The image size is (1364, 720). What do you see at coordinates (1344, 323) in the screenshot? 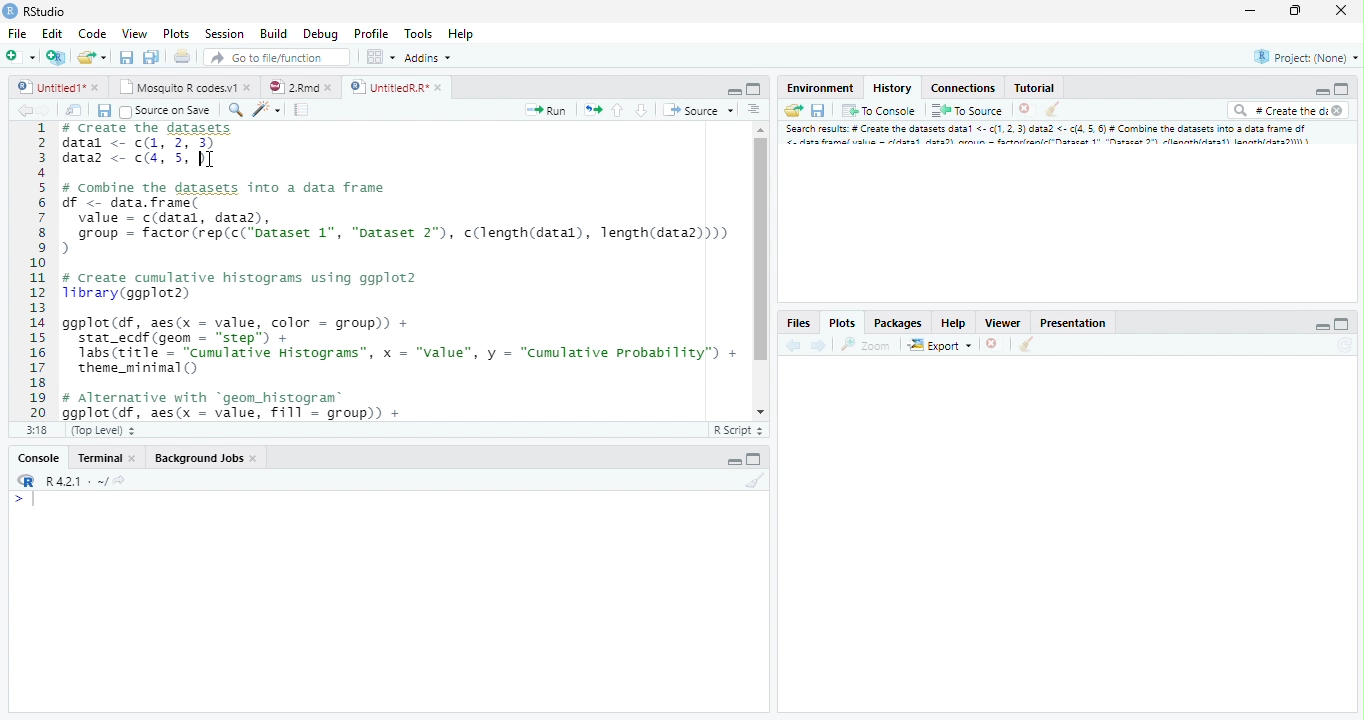
I see `Maximize` at bounding box center [1344, 323].